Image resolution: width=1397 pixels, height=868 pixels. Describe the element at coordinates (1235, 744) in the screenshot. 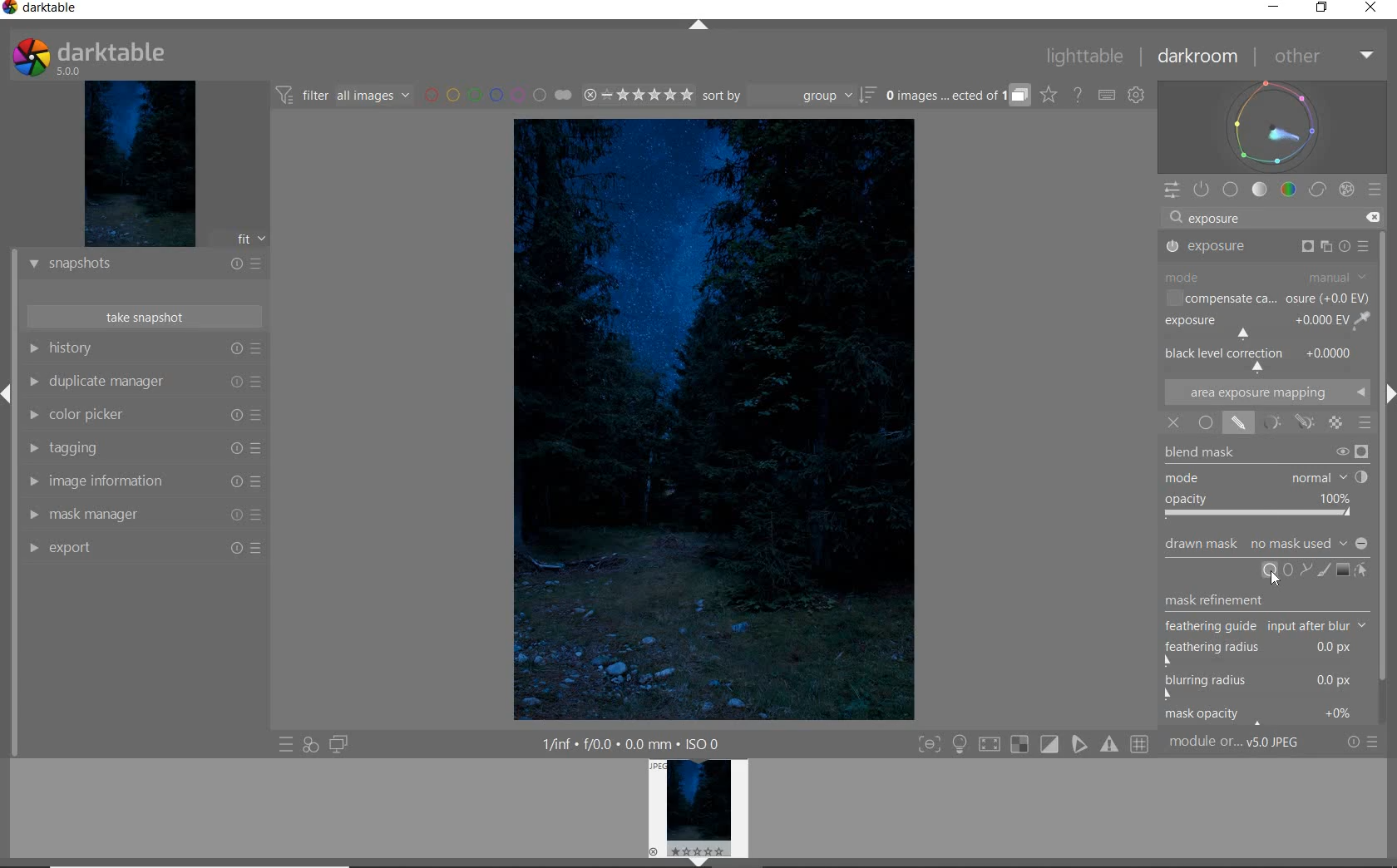

I see `MODULE...v5.0 JPEG` at that location.